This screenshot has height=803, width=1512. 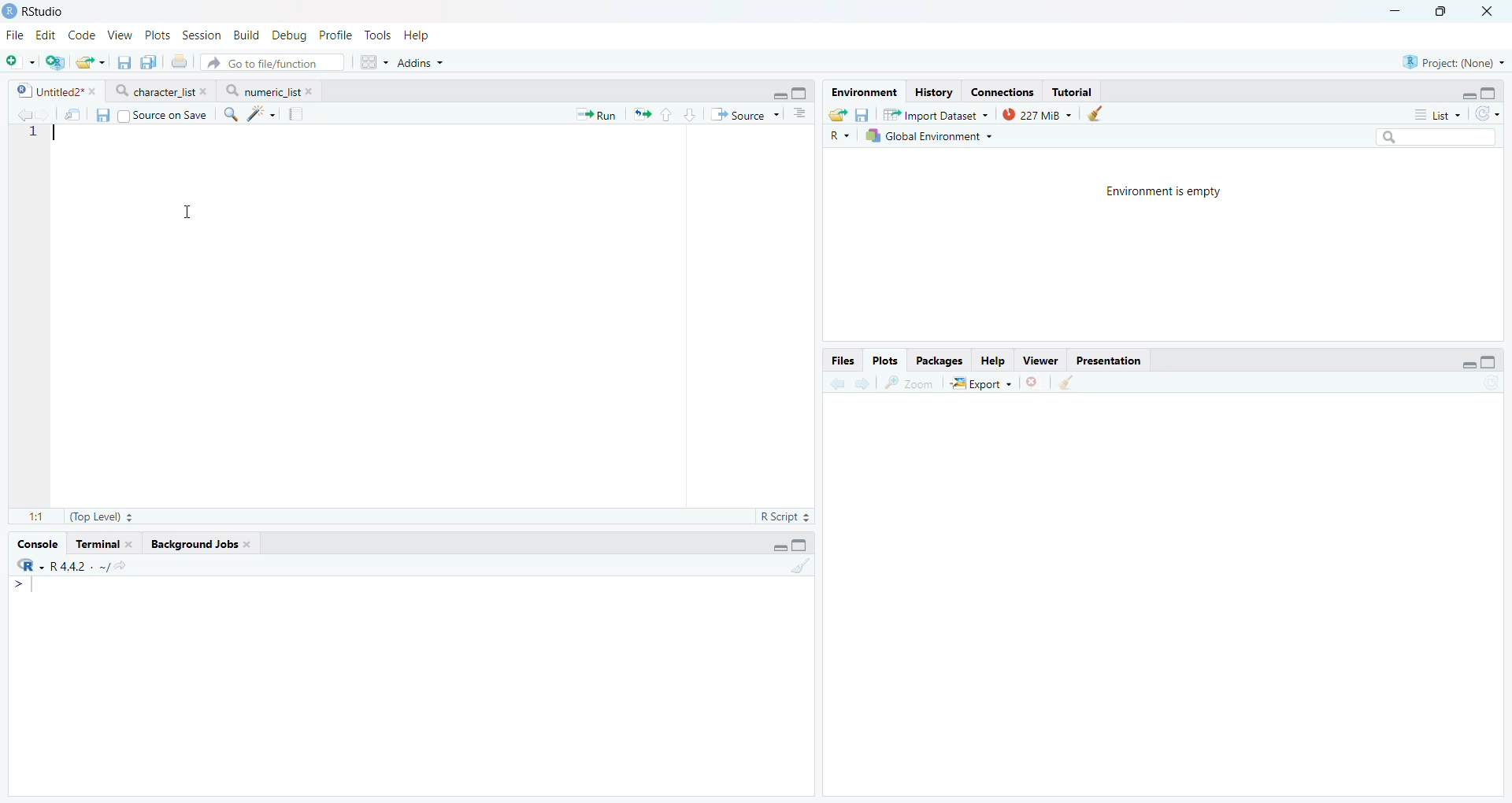 I want to click on Presentation, so click(x=1110, y=359).